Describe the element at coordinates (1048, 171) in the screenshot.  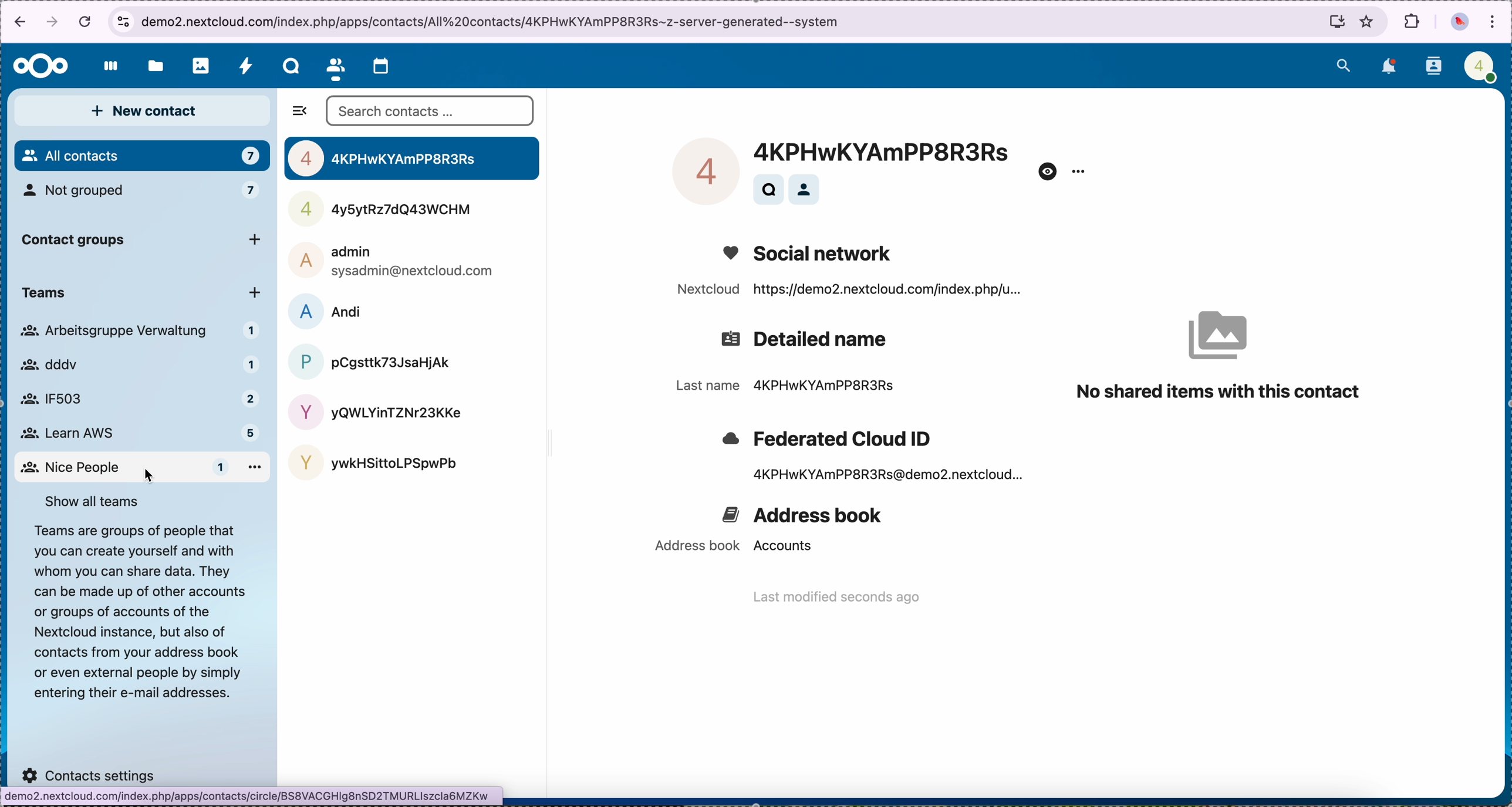
I see `visible` at that location.